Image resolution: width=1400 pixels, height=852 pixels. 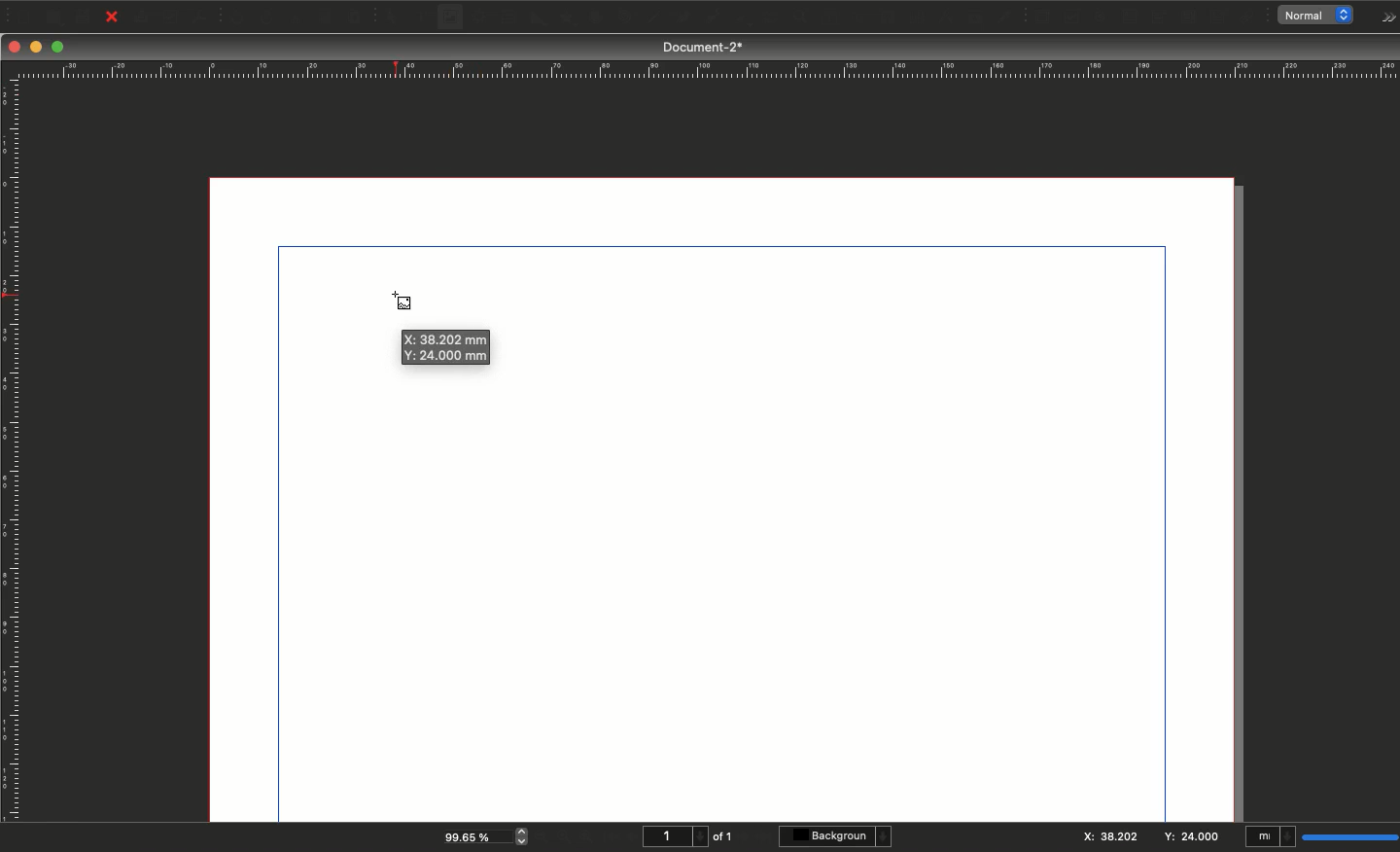 I want to click on PDF radio button, so click(x=1102, y=18).